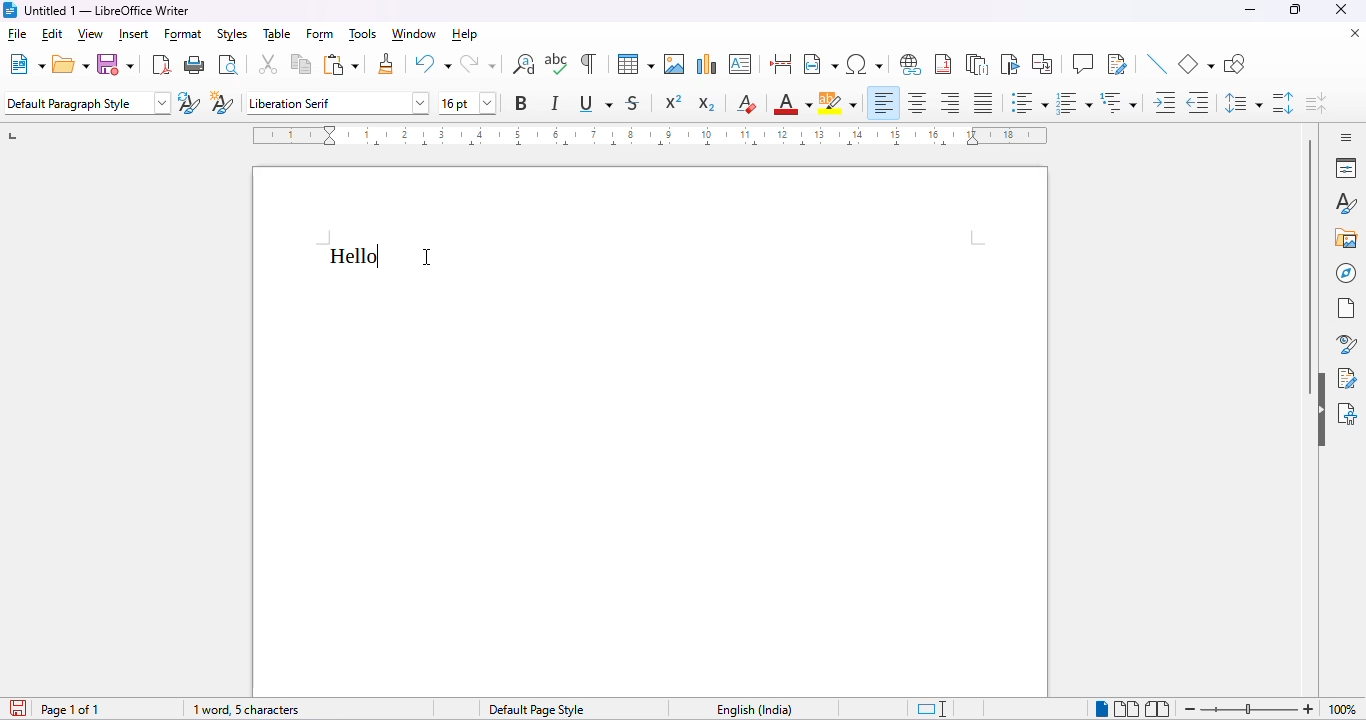 Image resolution: width=1366 pixels, height=720 pixels. Describe the element at coordinates (277, 35) in the screenshot. I see `table` at that location.